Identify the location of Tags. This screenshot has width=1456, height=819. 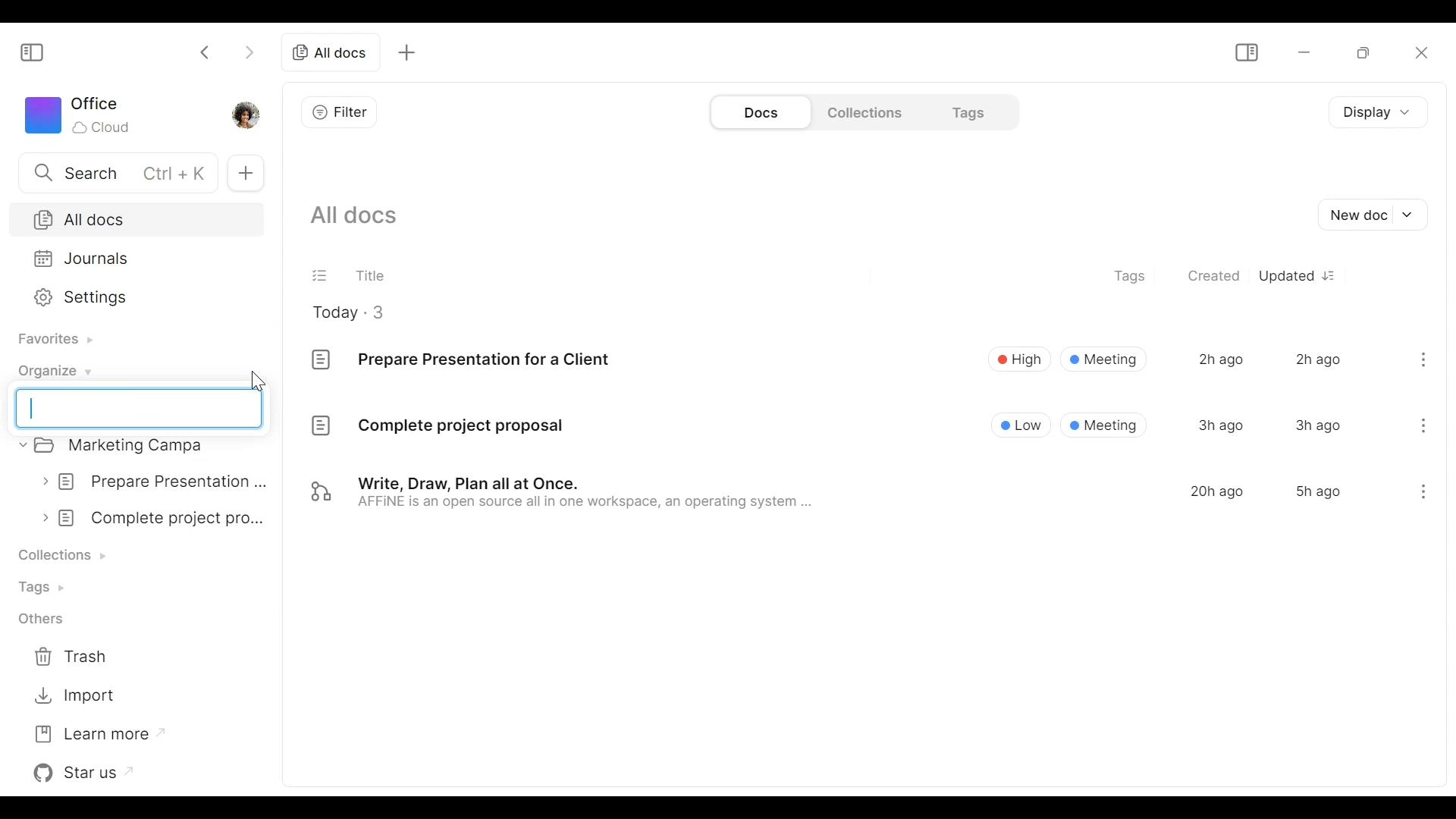
(1132, 278).